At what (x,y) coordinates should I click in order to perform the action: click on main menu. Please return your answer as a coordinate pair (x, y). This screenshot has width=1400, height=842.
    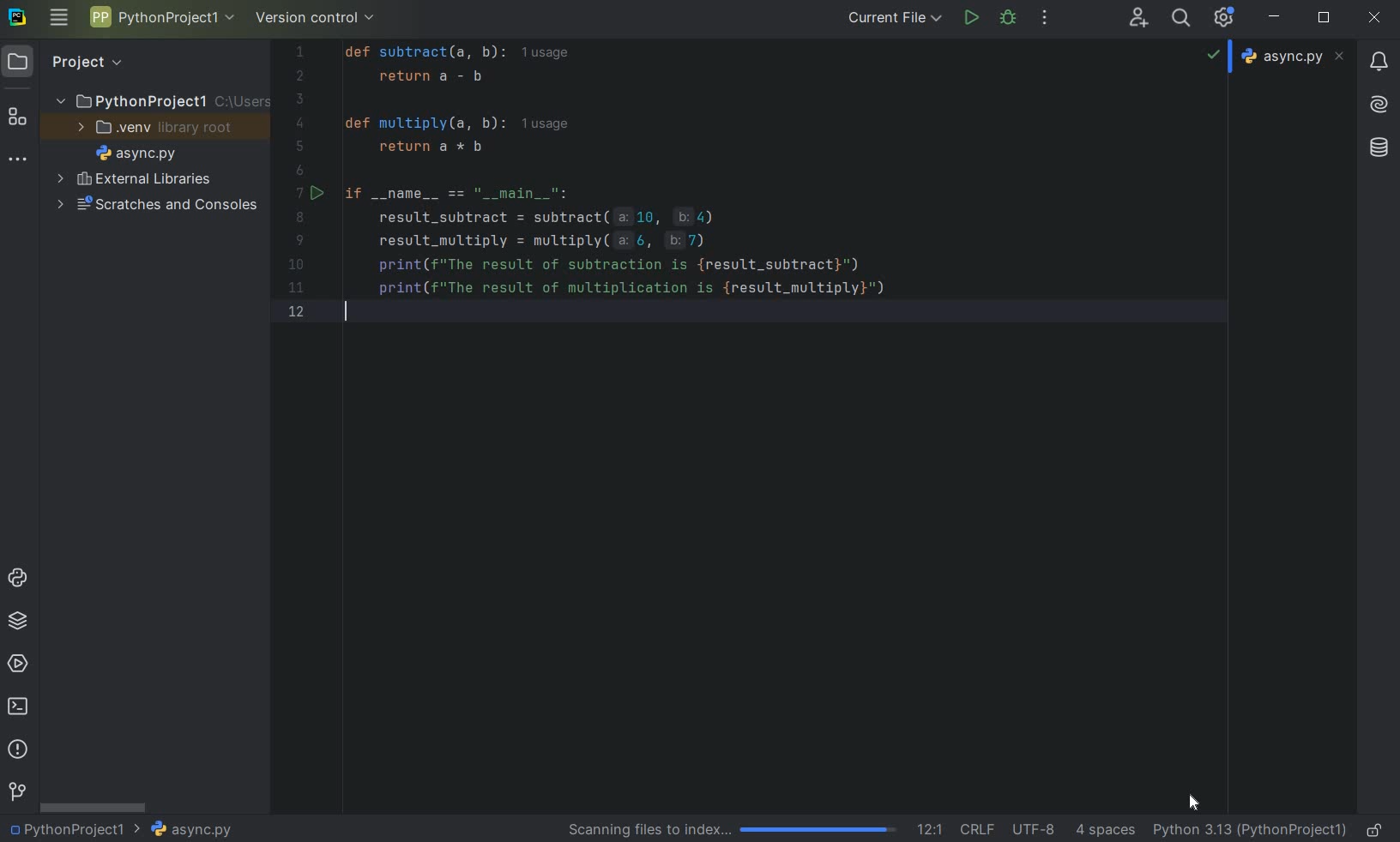
    Looking at the image, I should click on (59, 21).